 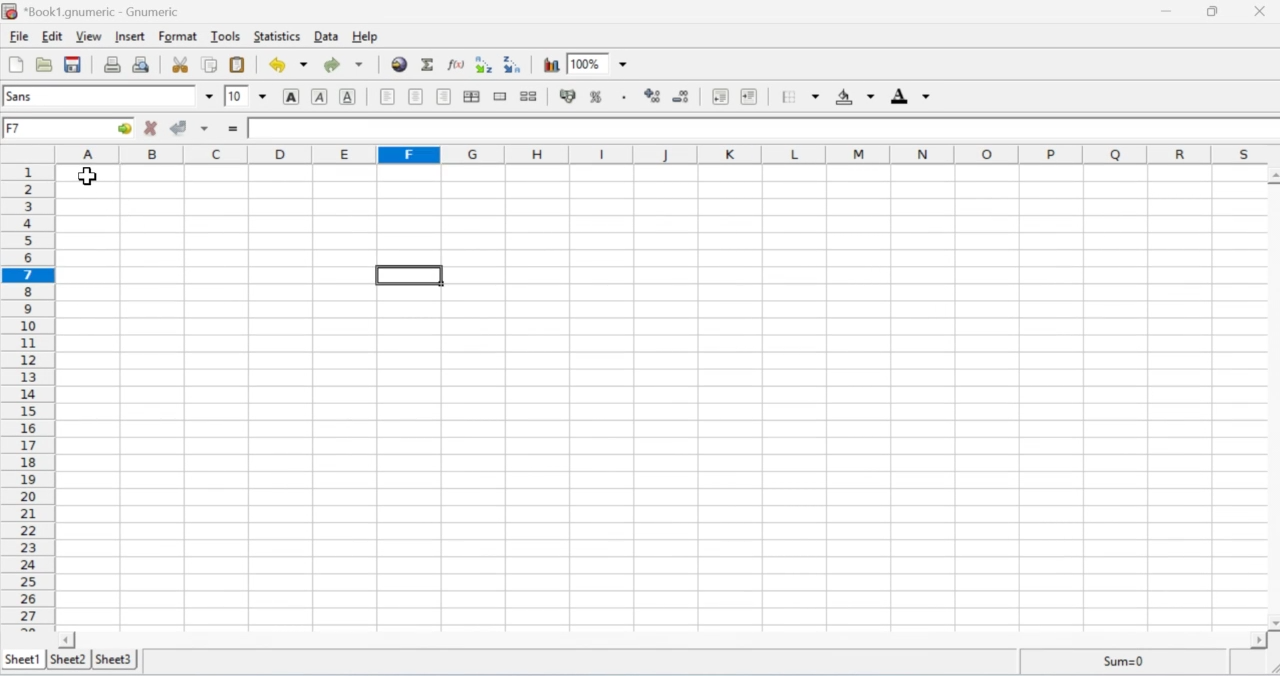 What do you see at coordinates (43, 65) in the screenshot?
I see `Open a file` at bounding box center [43, 65].